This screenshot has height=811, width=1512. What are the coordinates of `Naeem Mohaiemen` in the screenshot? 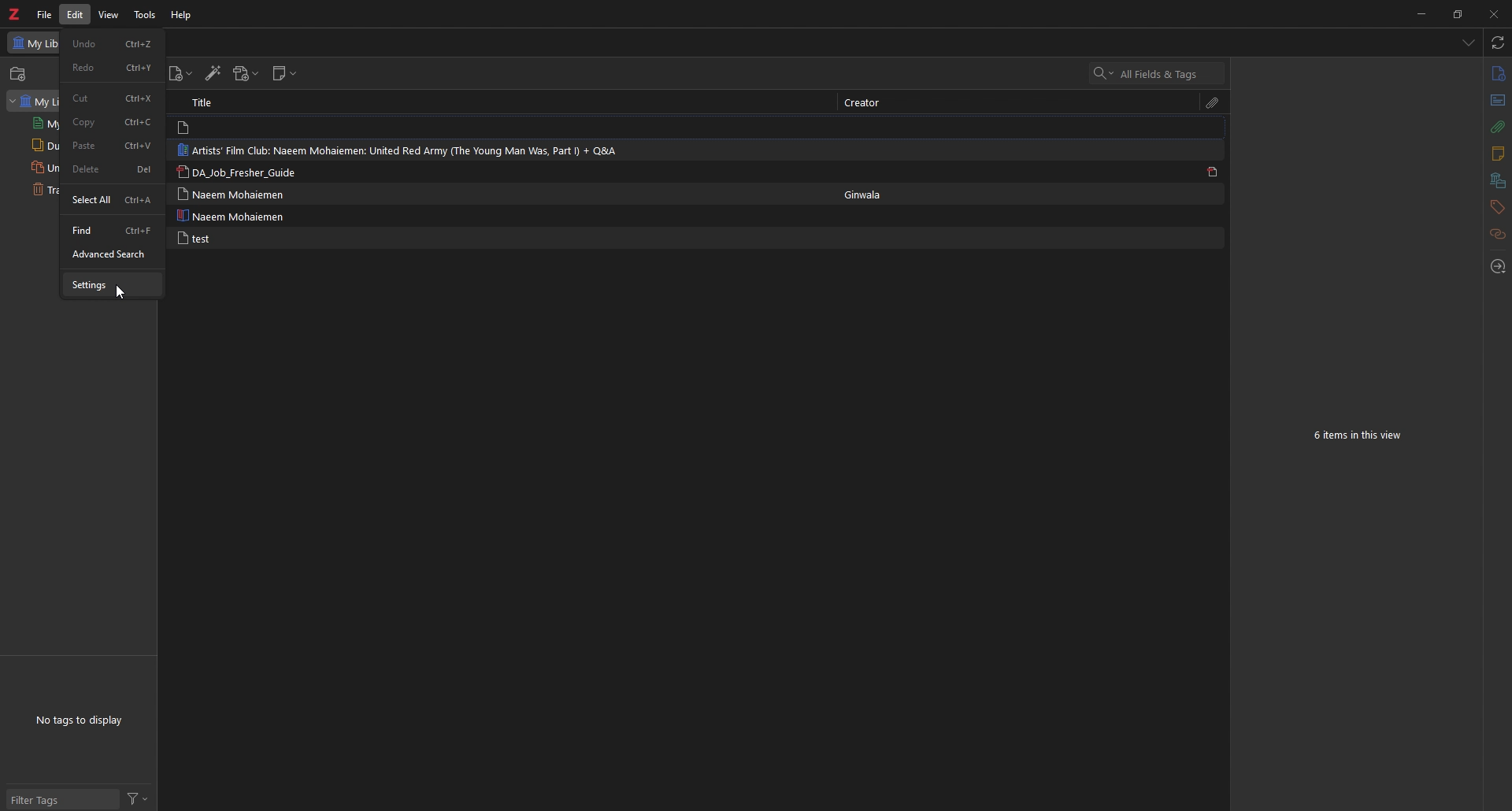 It's located at (232, 194).